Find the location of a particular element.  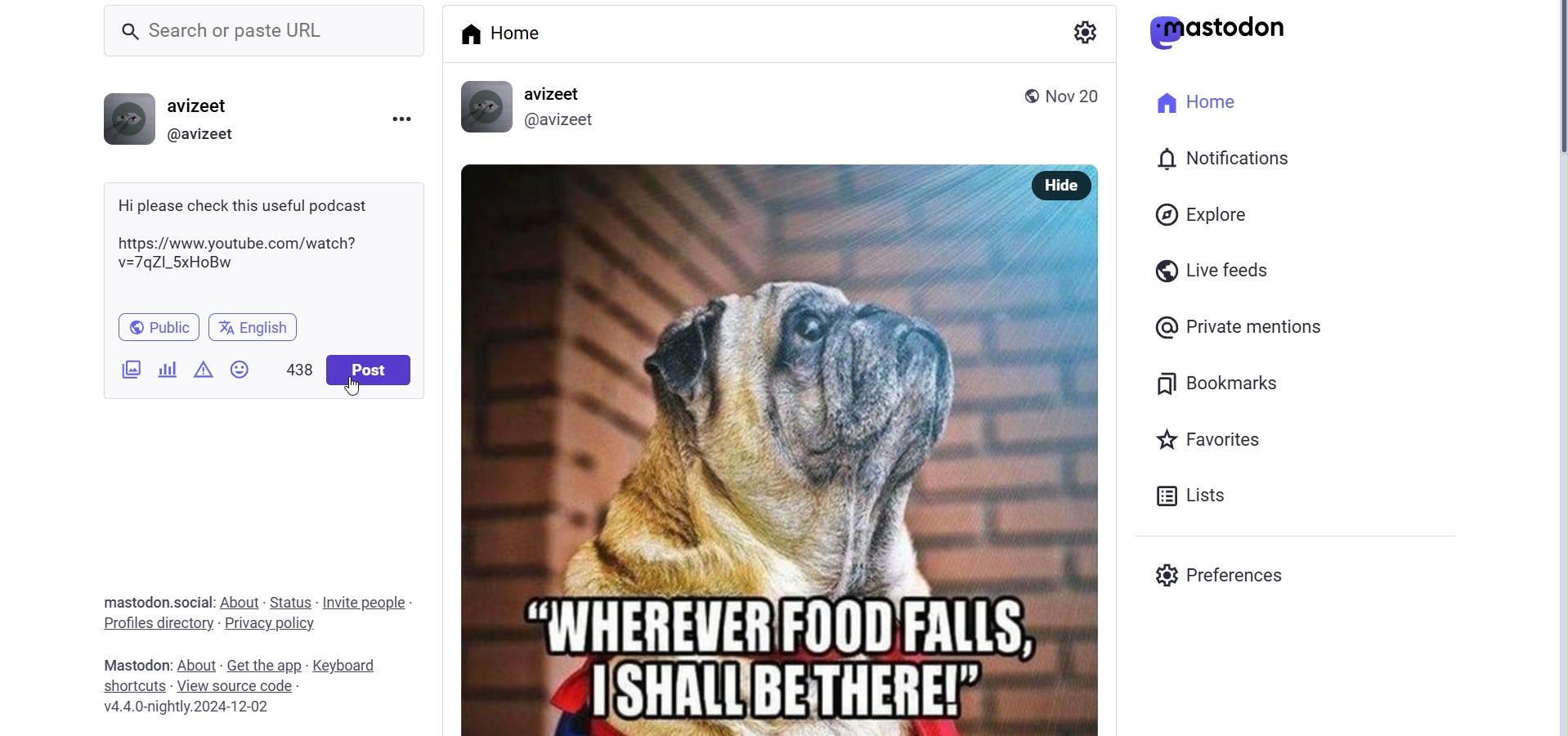

profiles directory is located at coordinates (157, 625).